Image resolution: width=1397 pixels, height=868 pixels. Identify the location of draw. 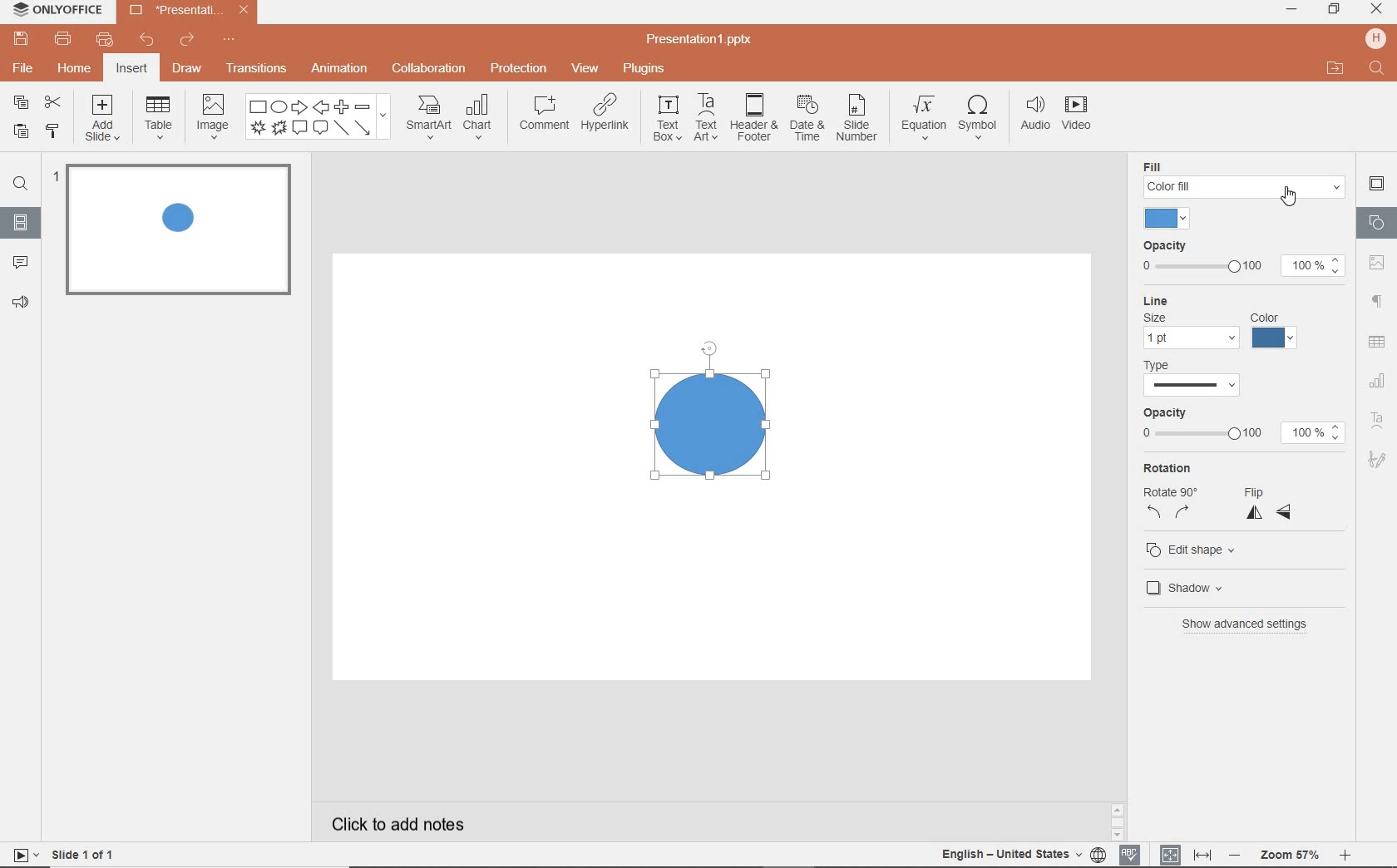
(187, 72).